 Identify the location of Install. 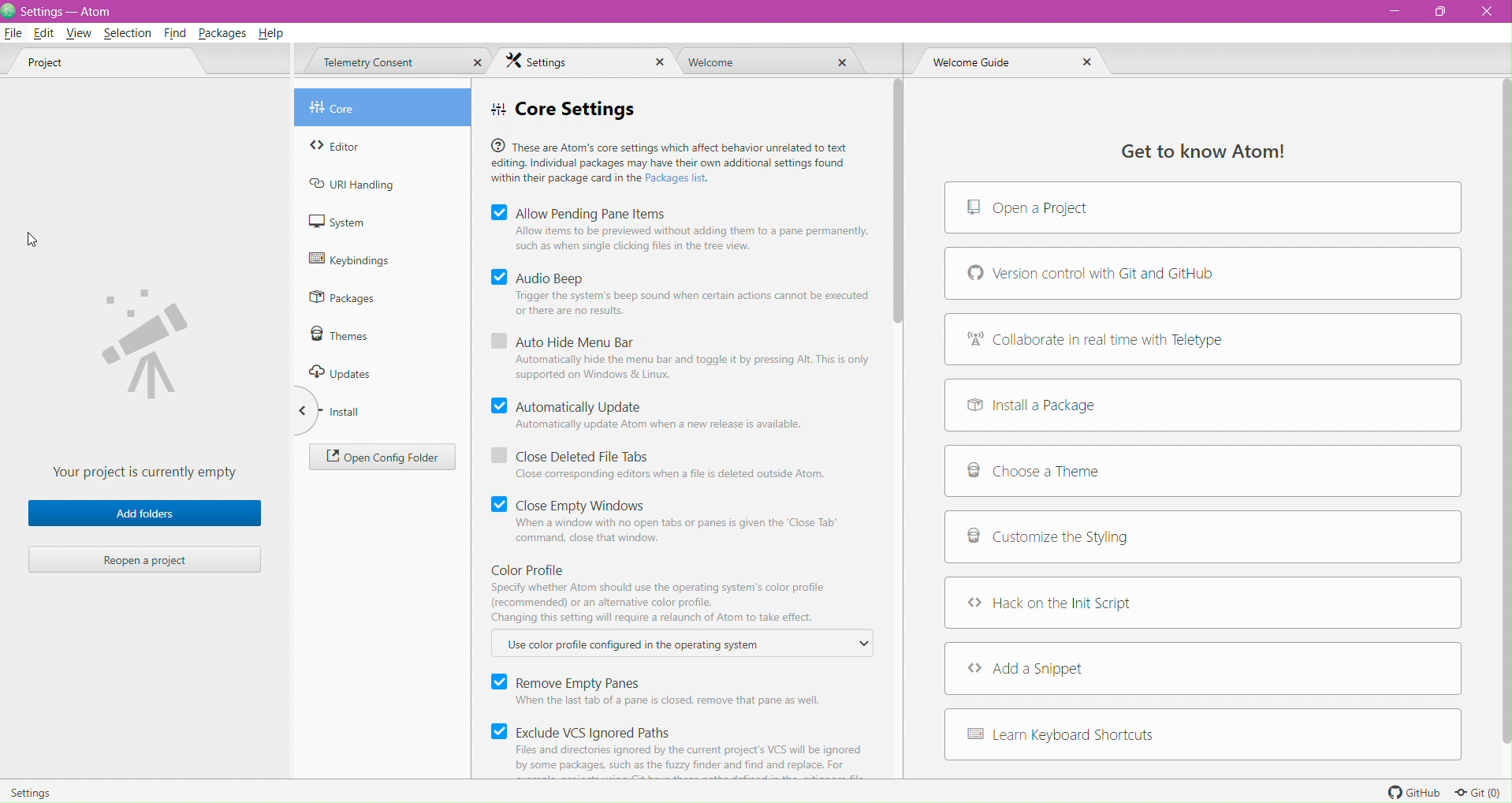
(359, 412).